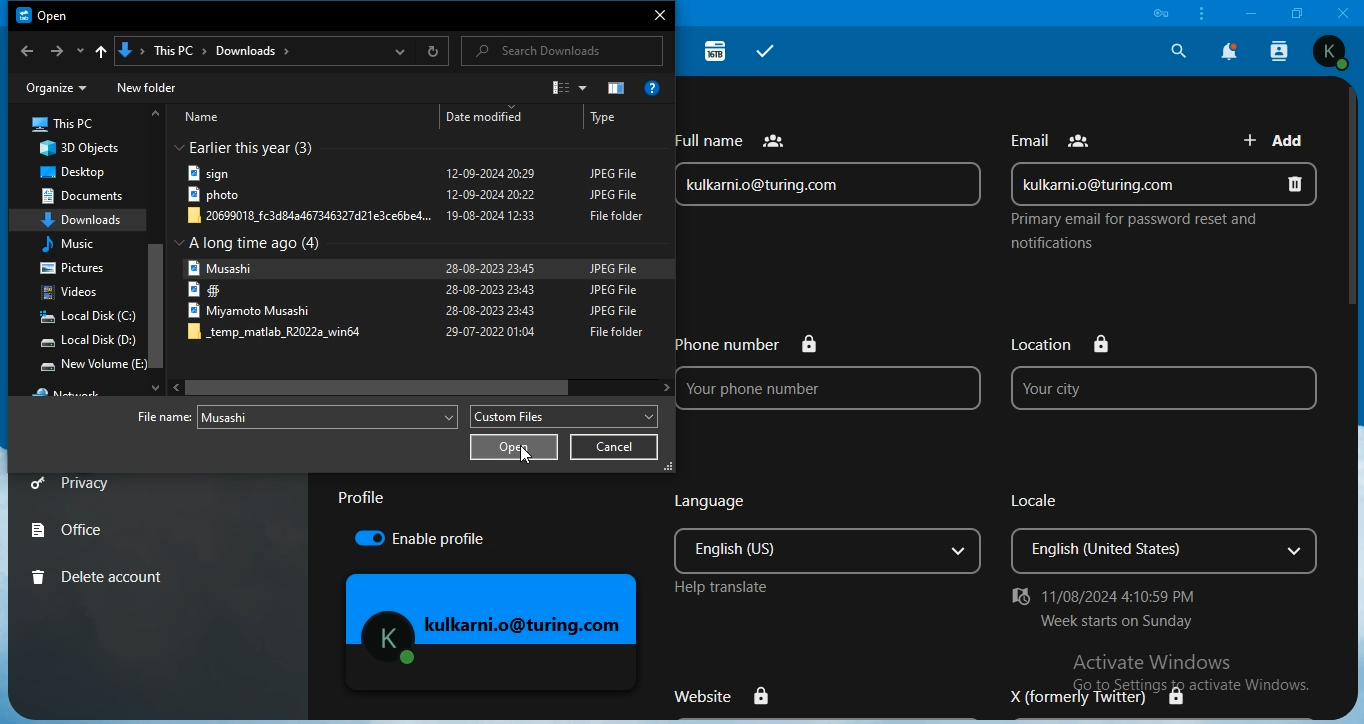 The height and width of the screenshot is (724, 1364). What do you see at coordinates (382, 386) in the screenshot?
I see `Cursor` at bounding box center [382, 386].